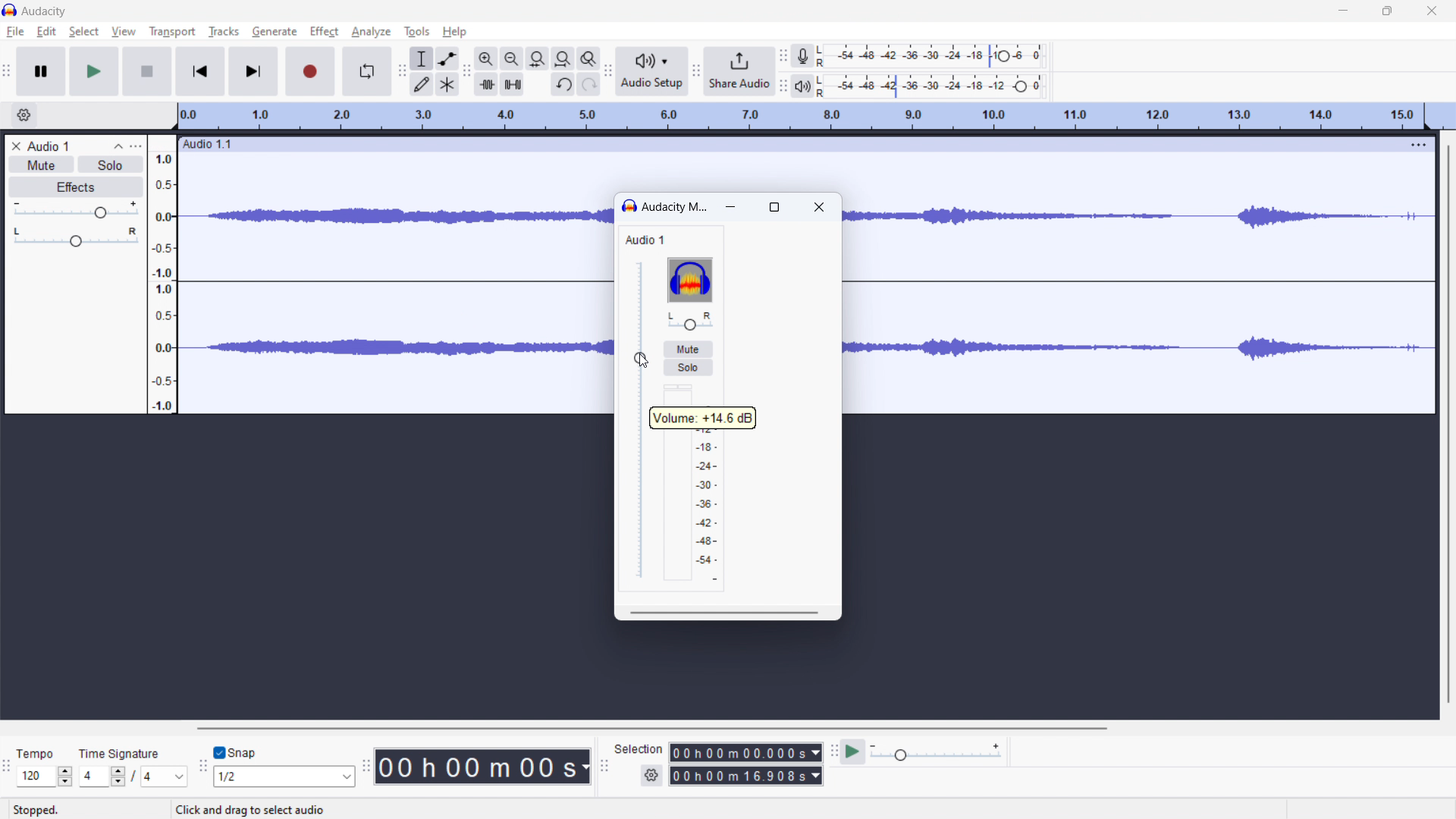 This screenshot has width=1456, height=819. What do you see at coordinates (589, 84) in the screenshot?
I see `redo` at bounding box center [589, 84].